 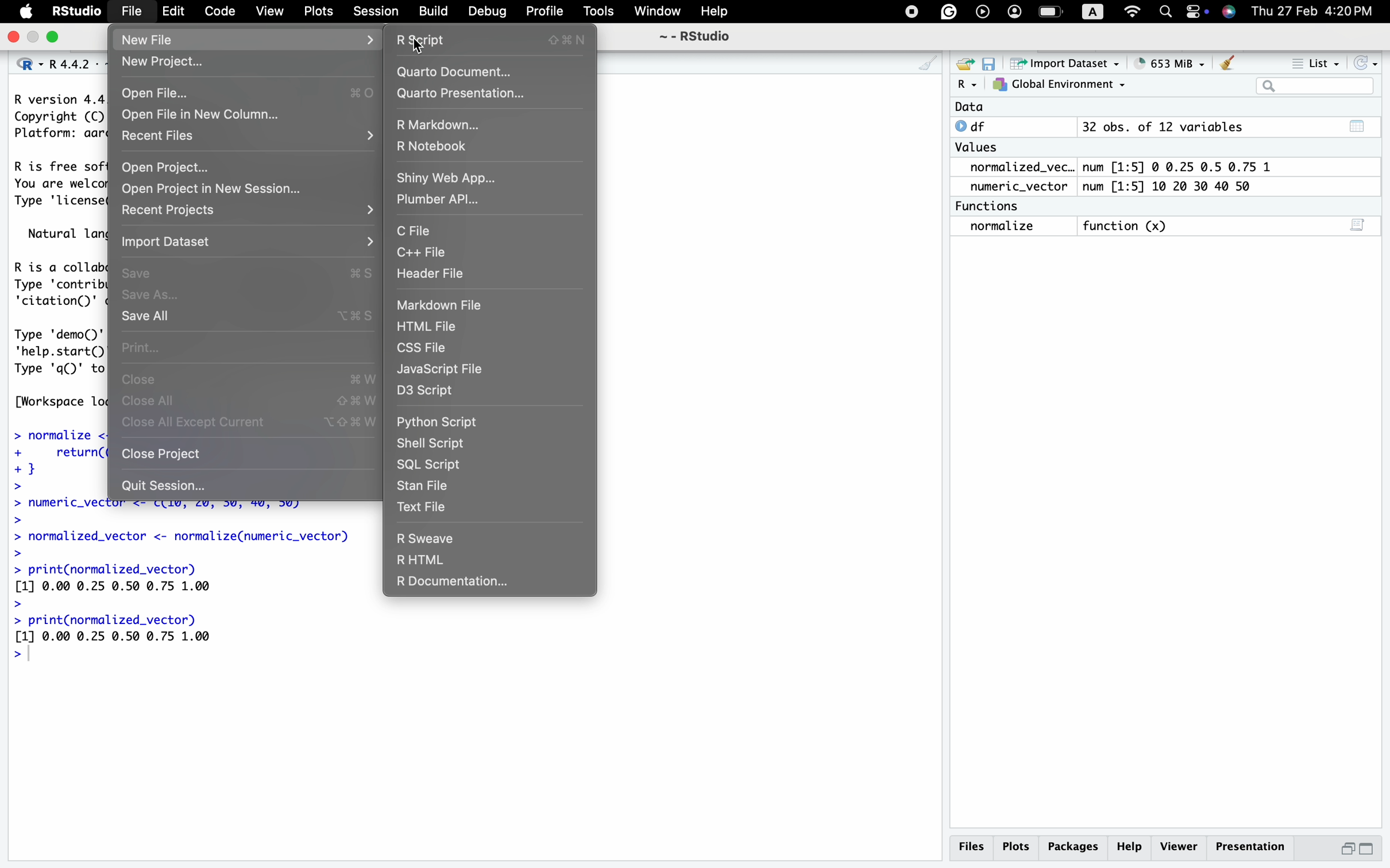 I want to click on R Swearve, so click(x=426, y=539).